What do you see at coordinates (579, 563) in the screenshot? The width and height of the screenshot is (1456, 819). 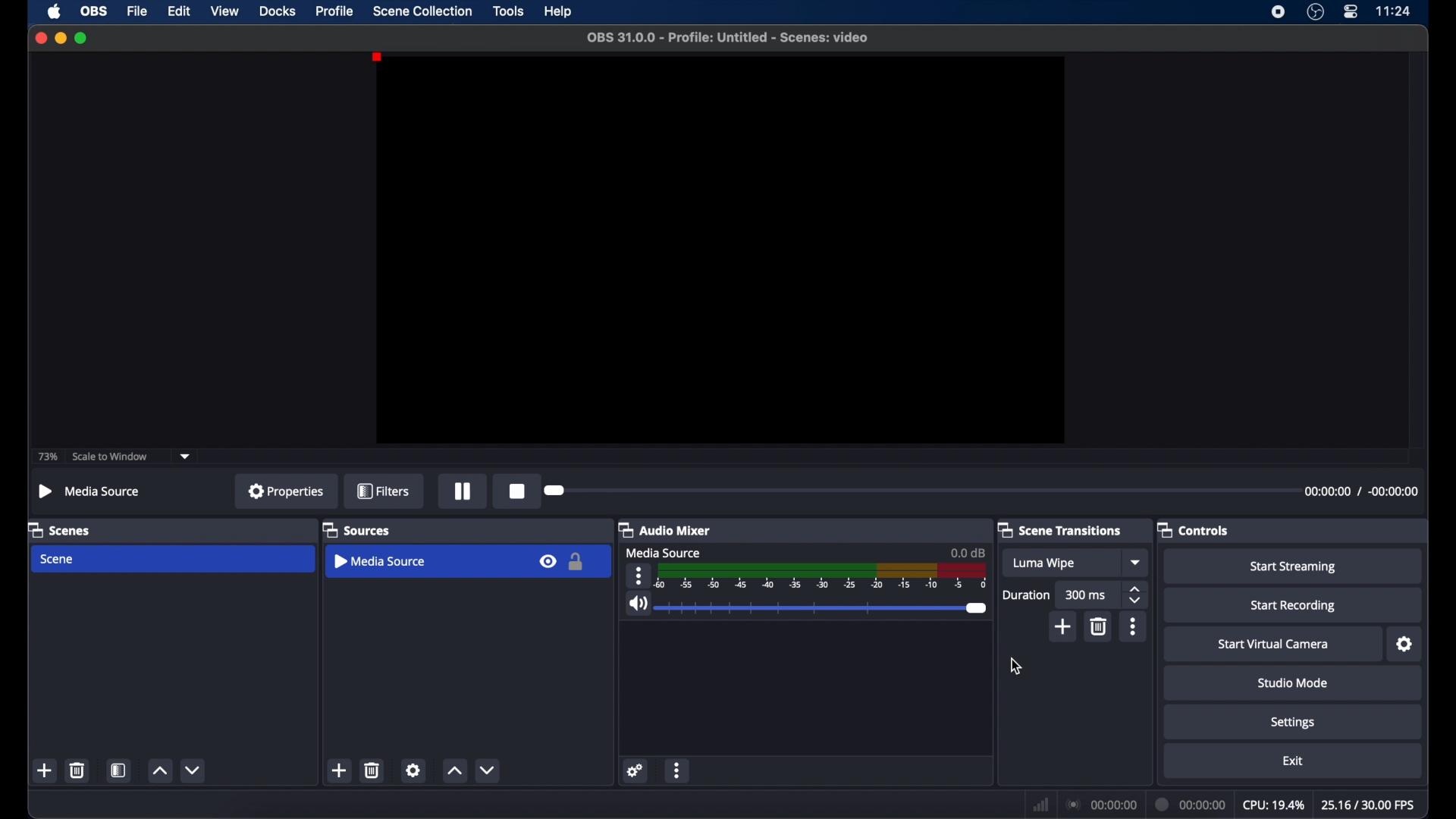 I see `lock ` at bounding box center [579, 563].